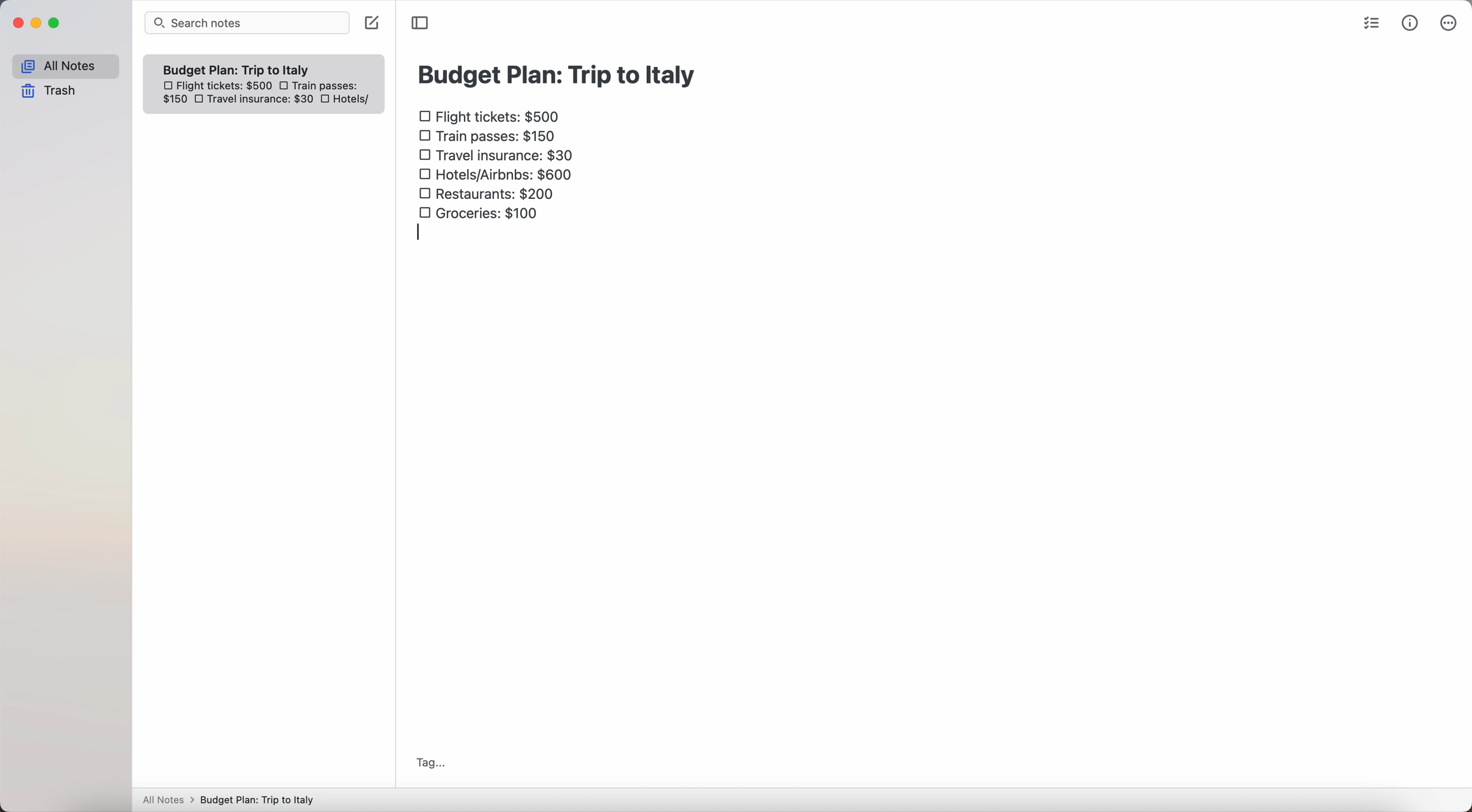 This screenshot has width=1472, height=812. I want to click on travel insurance: $30, so click(263, 101).